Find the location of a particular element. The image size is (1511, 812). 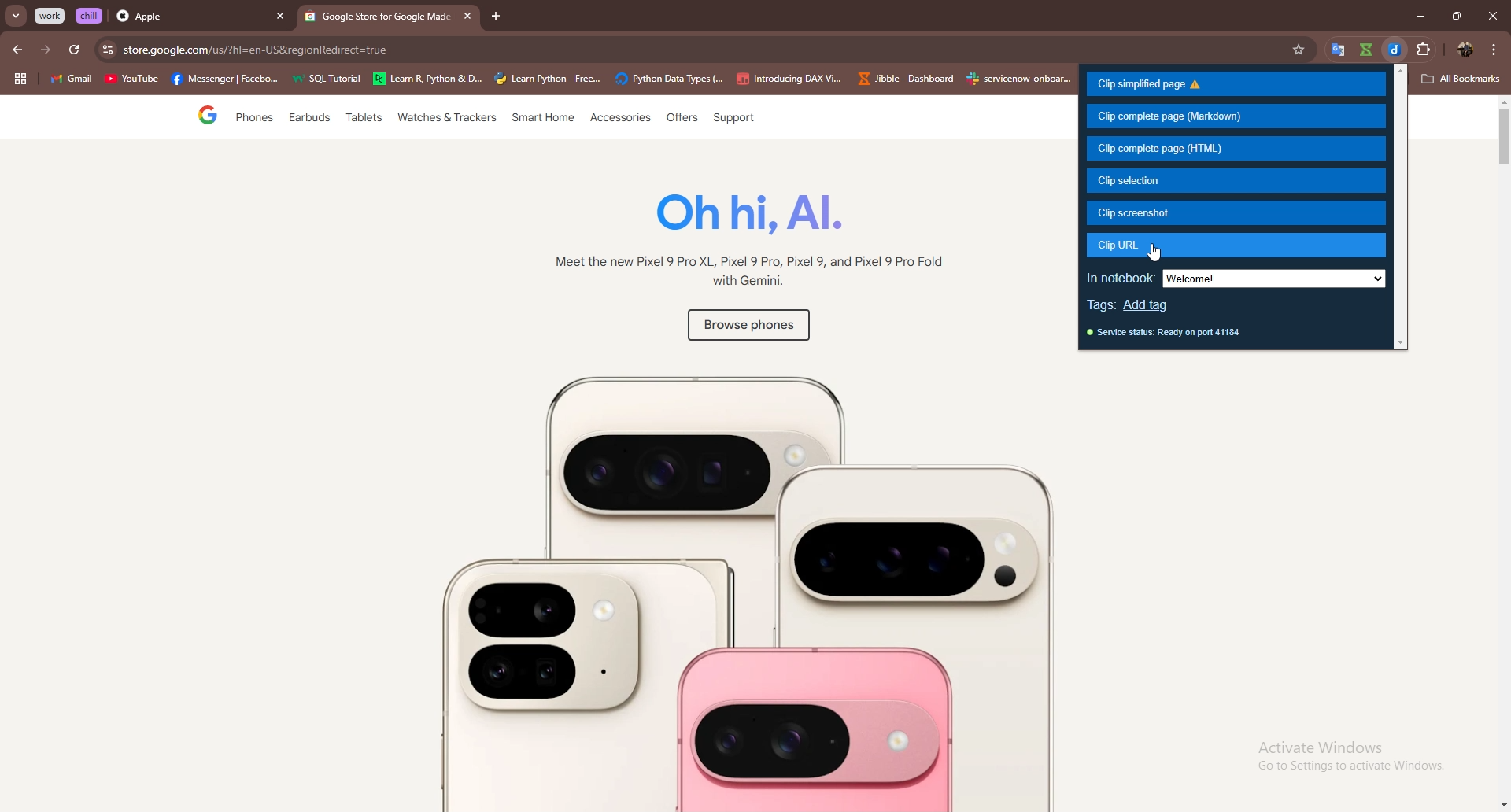

scroll bar is located at coordinates (1400, 207).